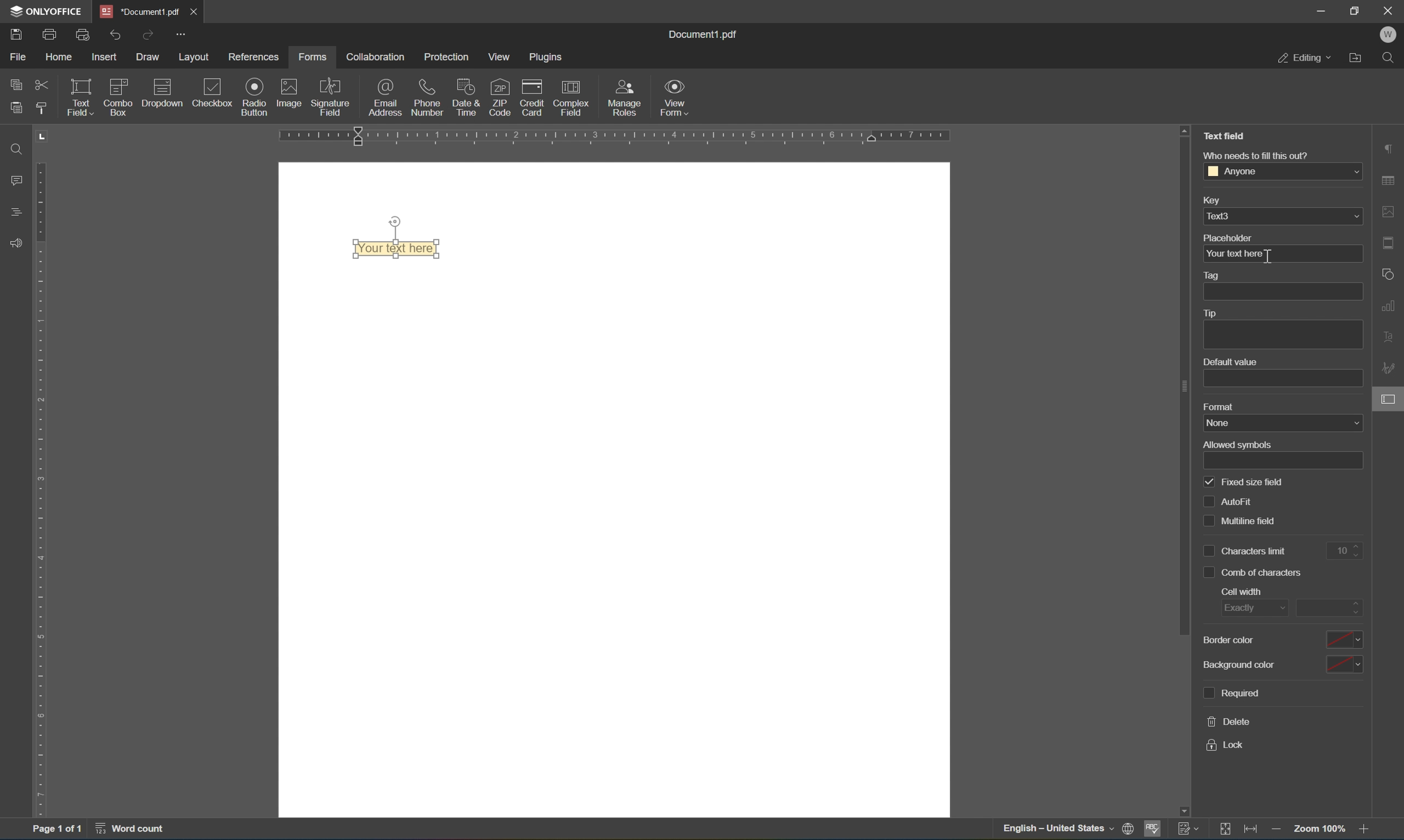  Describe the element at coordinates (255, 58) in the screenshot. I see `references` at that location.